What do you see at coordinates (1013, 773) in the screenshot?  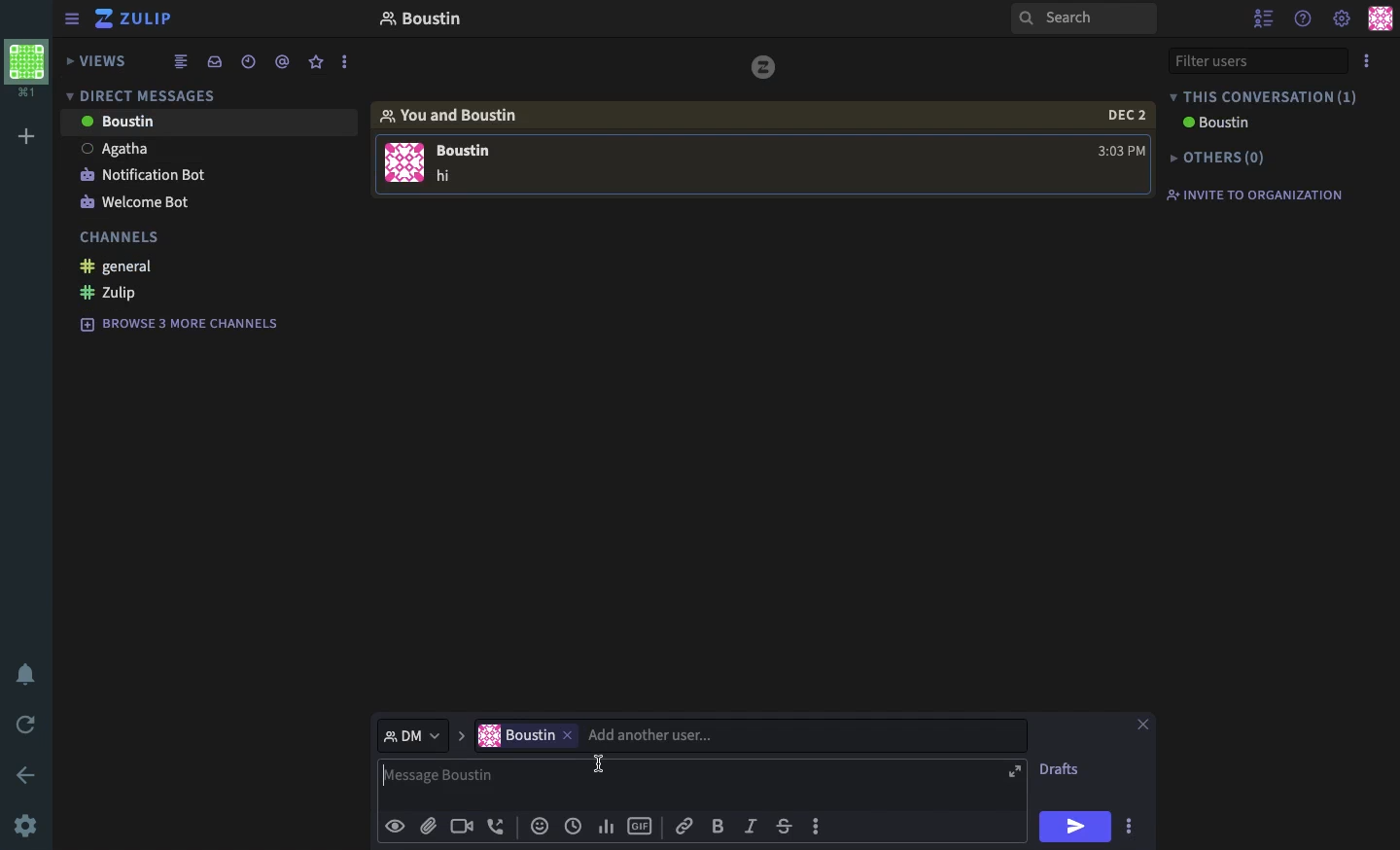 I see `expand` at bounding box center [1013, 773].